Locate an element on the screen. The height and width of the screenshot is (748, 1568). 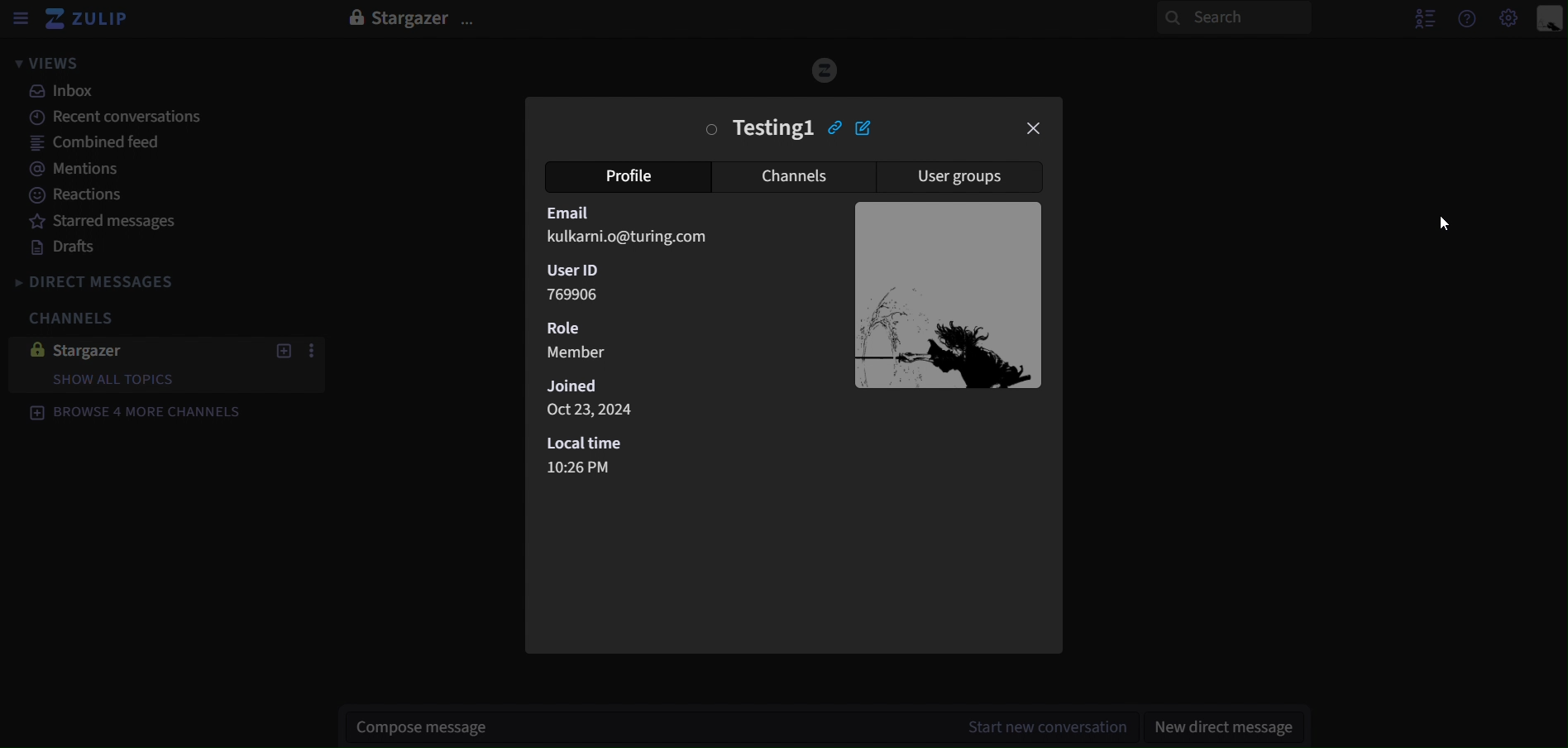
user groups is located at coordinates (958, 175).